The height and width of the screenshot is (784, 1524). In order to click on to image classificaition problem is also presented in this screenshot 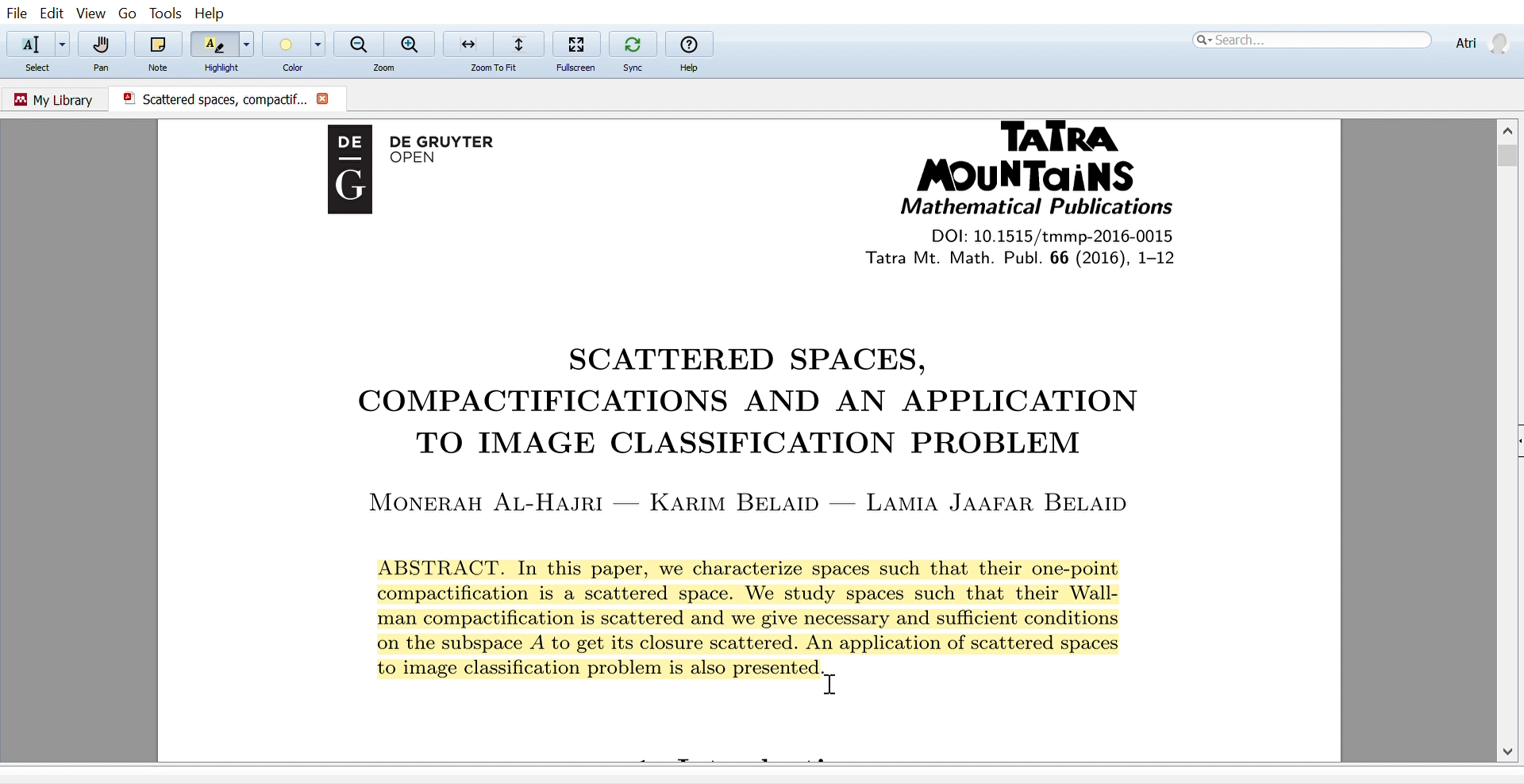, I will do `click(598, 669)`.